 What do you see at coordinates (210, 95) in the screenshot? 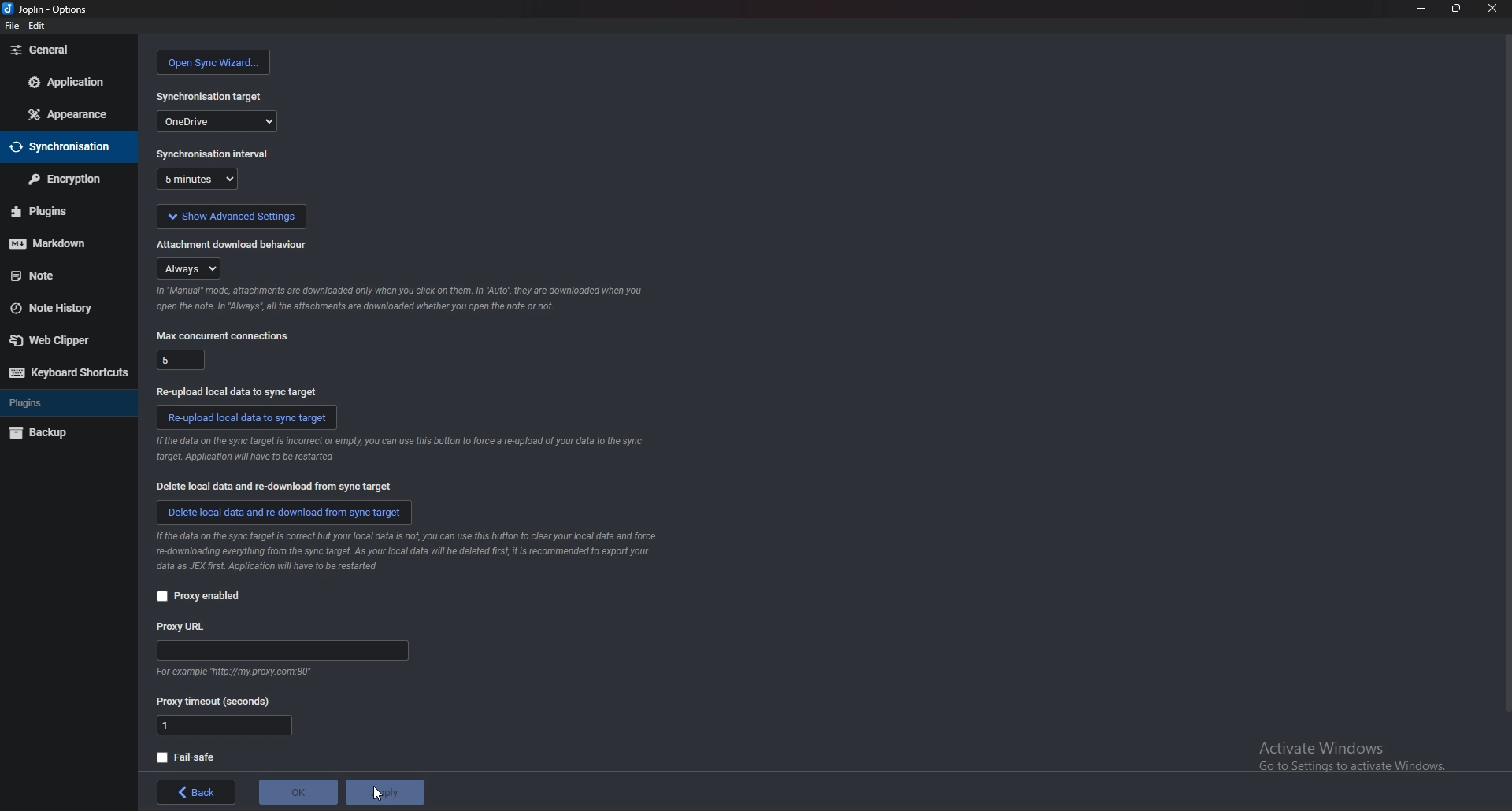
I see `sync target` at bounding box center [210, 95].